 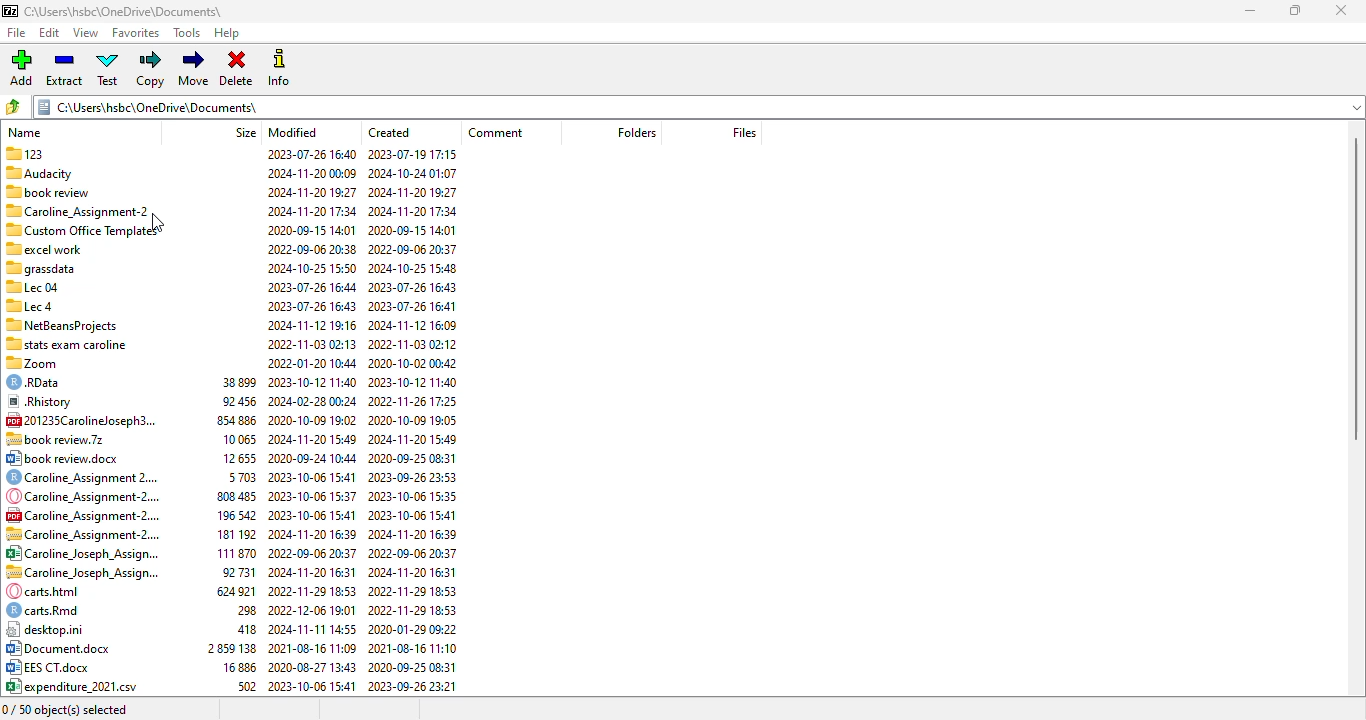 What do you see at coordinates (309, 286) in the screenshot?
I see `2023-07-26 16:44` at bounding box center [309, 286].